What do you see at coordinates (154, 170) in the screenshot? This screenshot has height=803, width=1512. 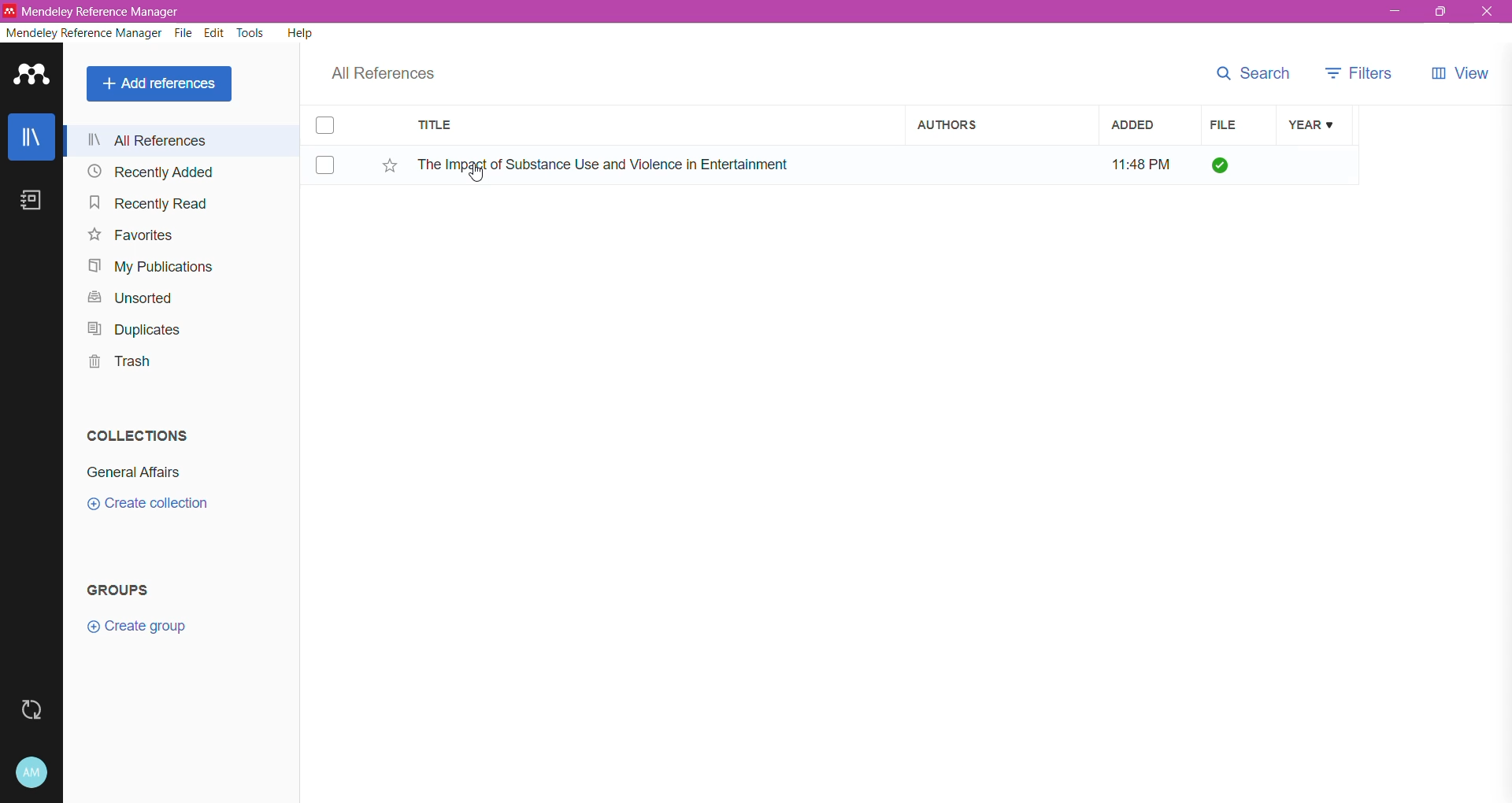 I see `Recently Added` at bounding box center [154, 170].